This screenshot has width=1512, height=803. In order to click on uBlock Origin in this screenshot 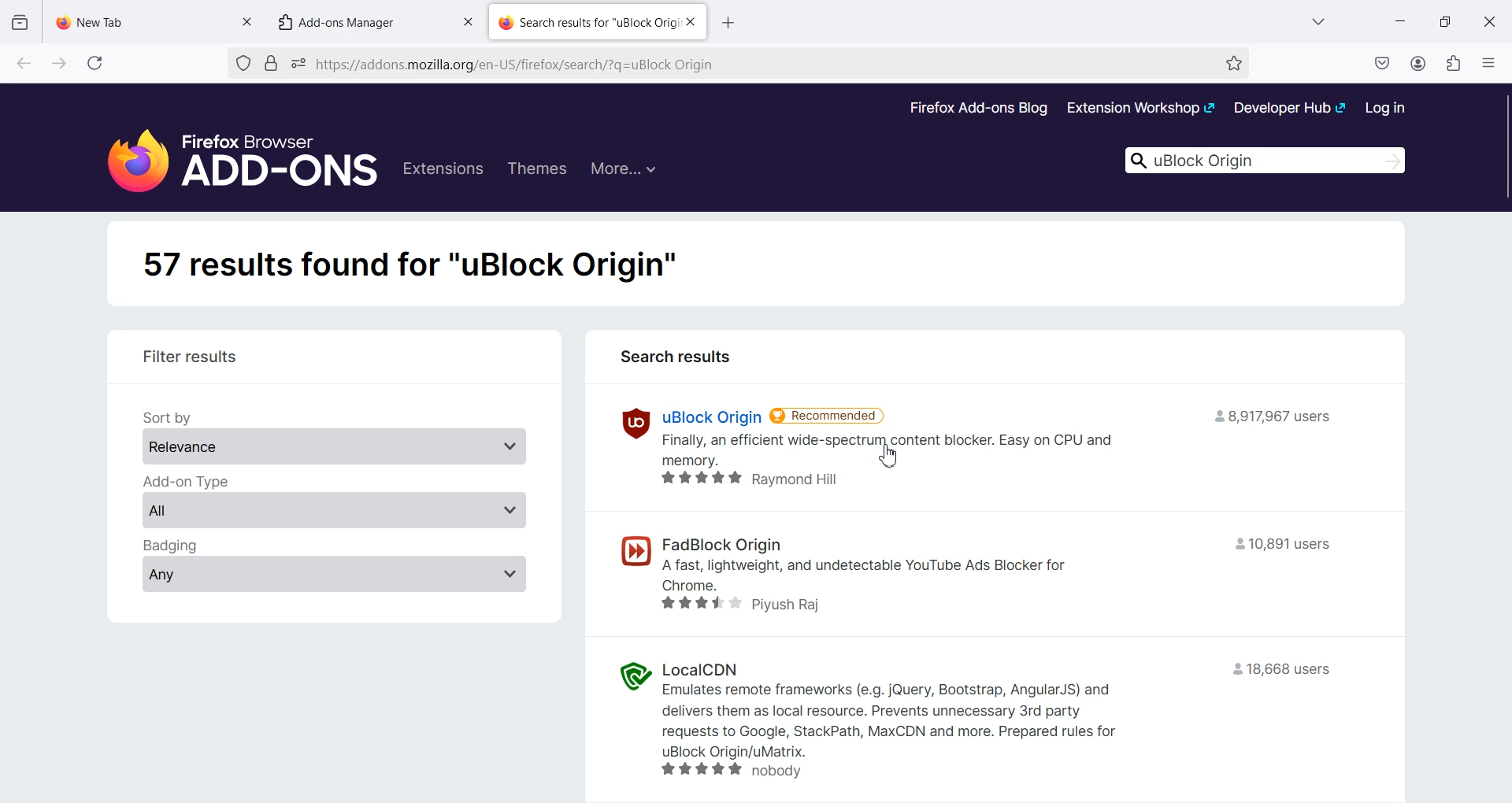, I will do `click(1266, 161)`.